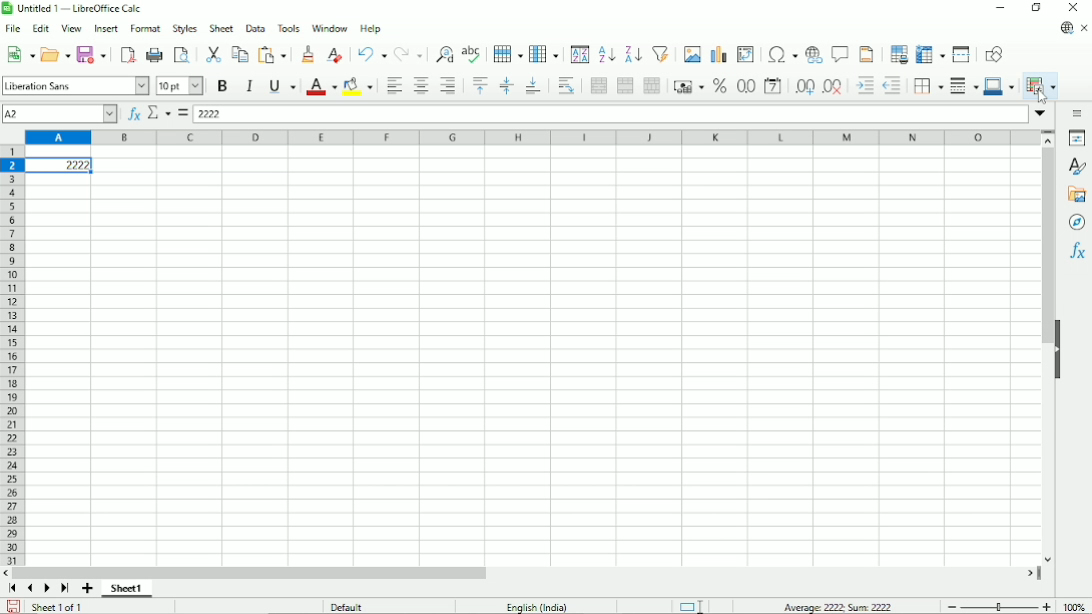 Image resolution: width=1092 pixels, height=614 pixels. I want to click on Unmerge cells, so click(651, 86).